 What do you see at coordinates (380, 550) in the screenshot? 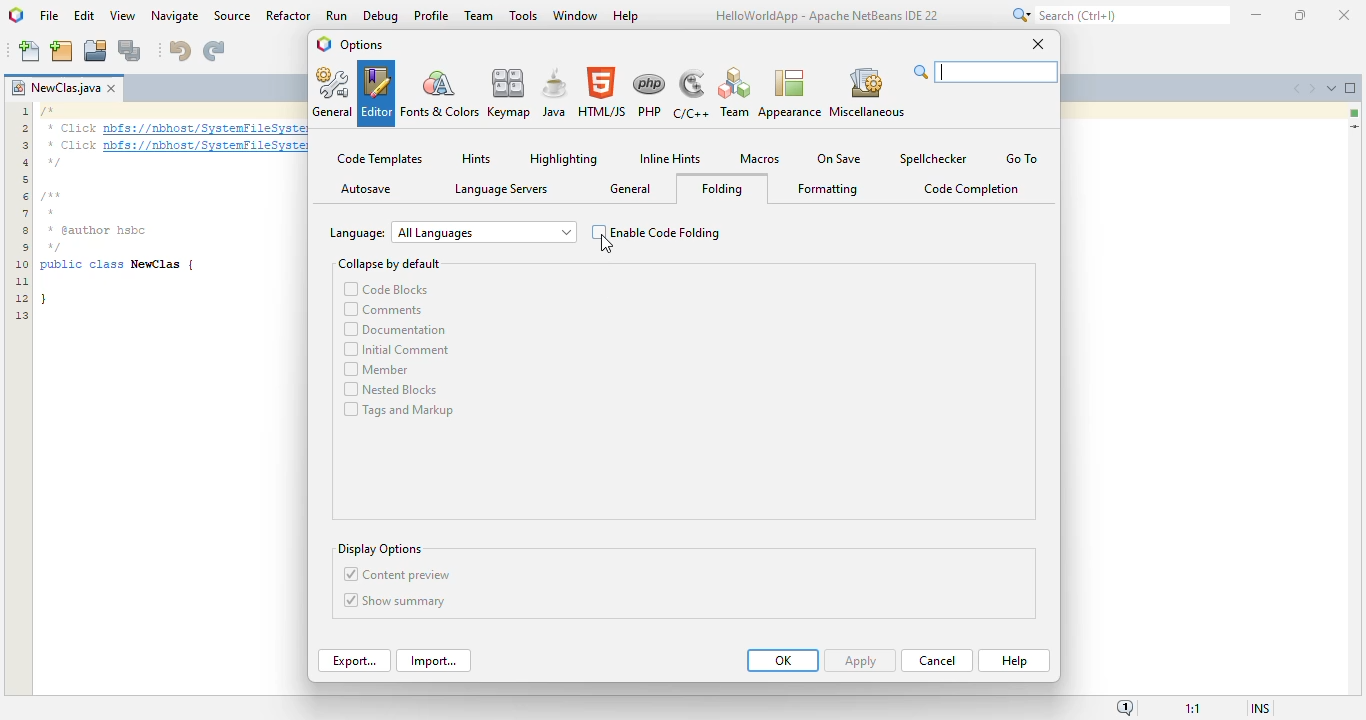
I see `display options` at bounding box center [380, 550].